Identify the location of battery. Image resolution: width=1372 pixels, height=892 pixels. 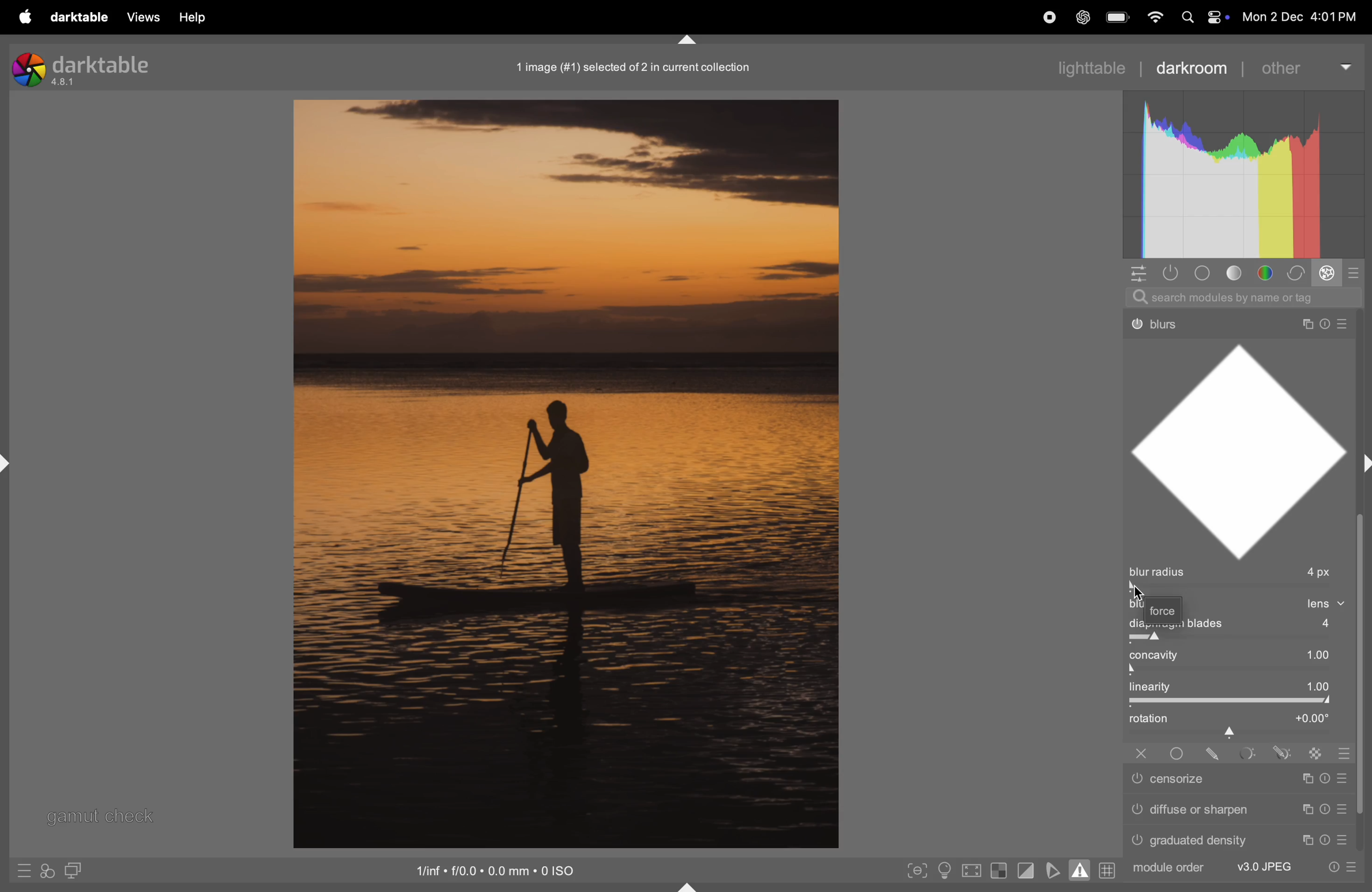
(1118, 16).